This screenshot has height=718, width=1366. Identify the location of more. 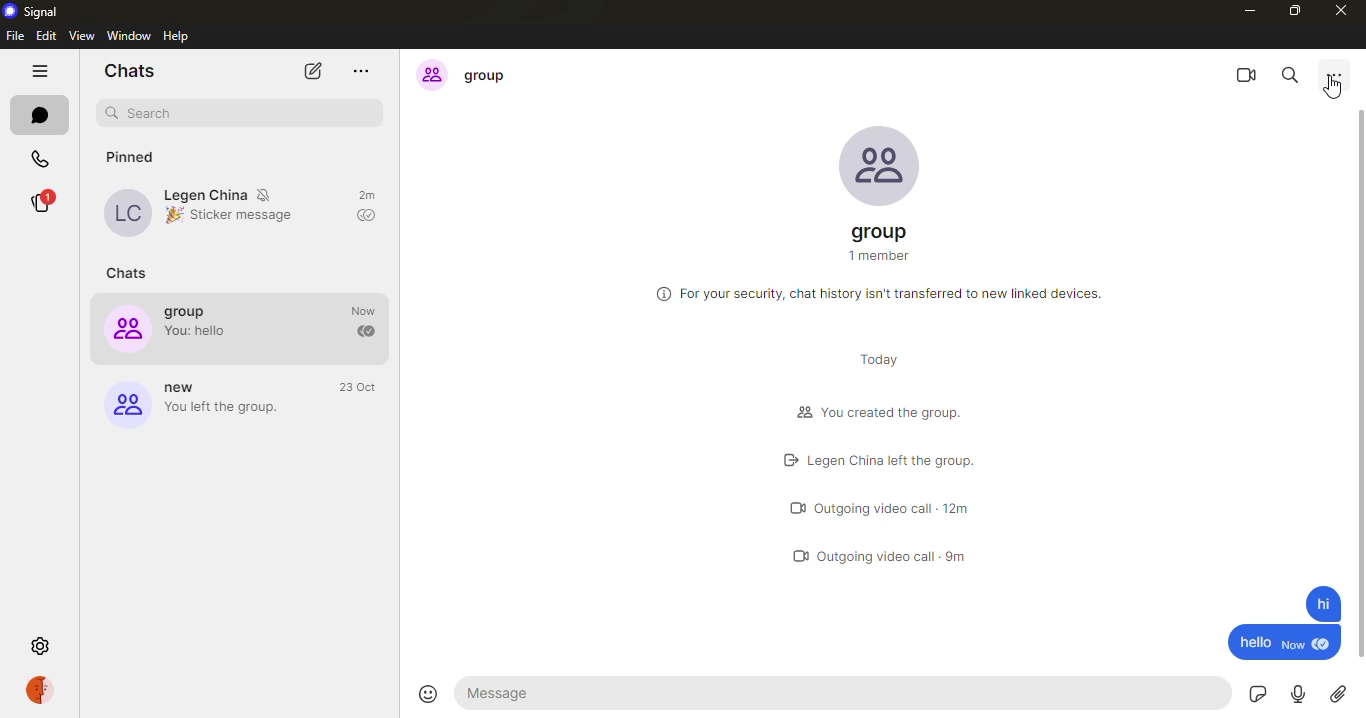
(1336, 73).